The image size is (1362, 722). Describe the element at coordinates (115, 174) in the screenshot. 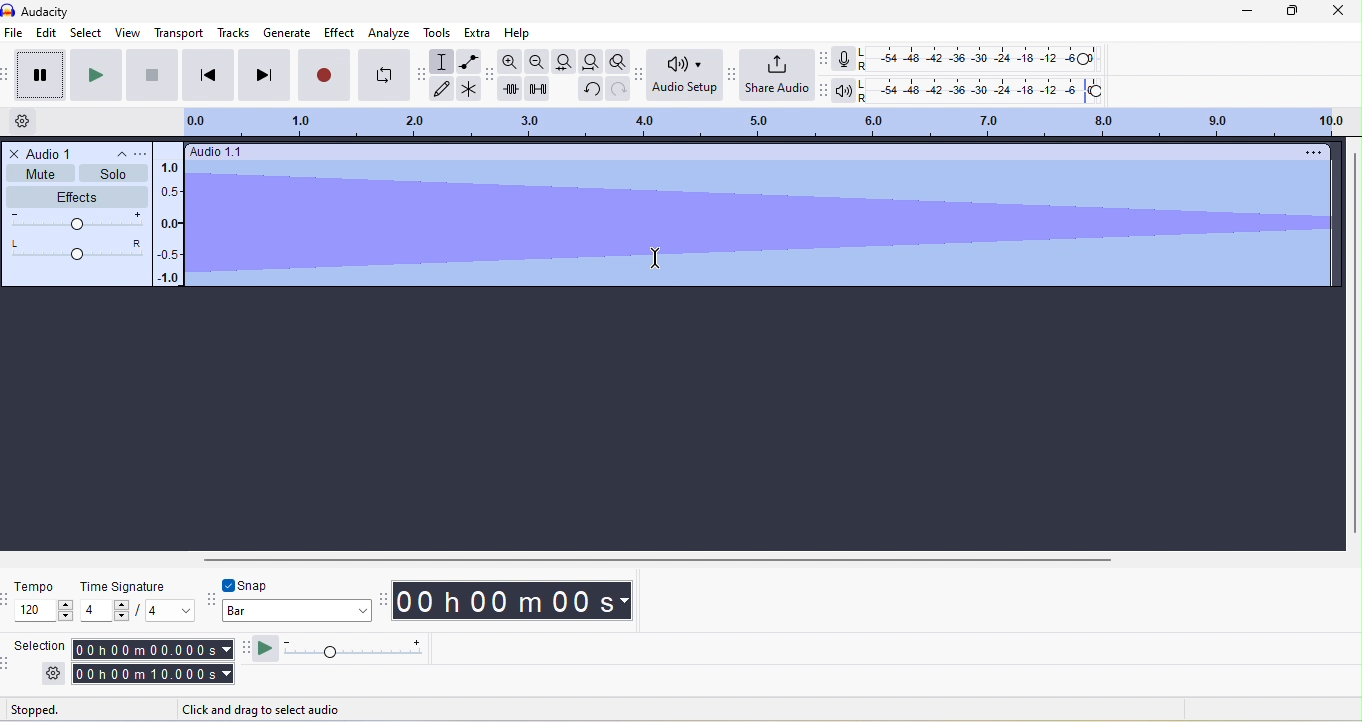

I see `solo` at that location.